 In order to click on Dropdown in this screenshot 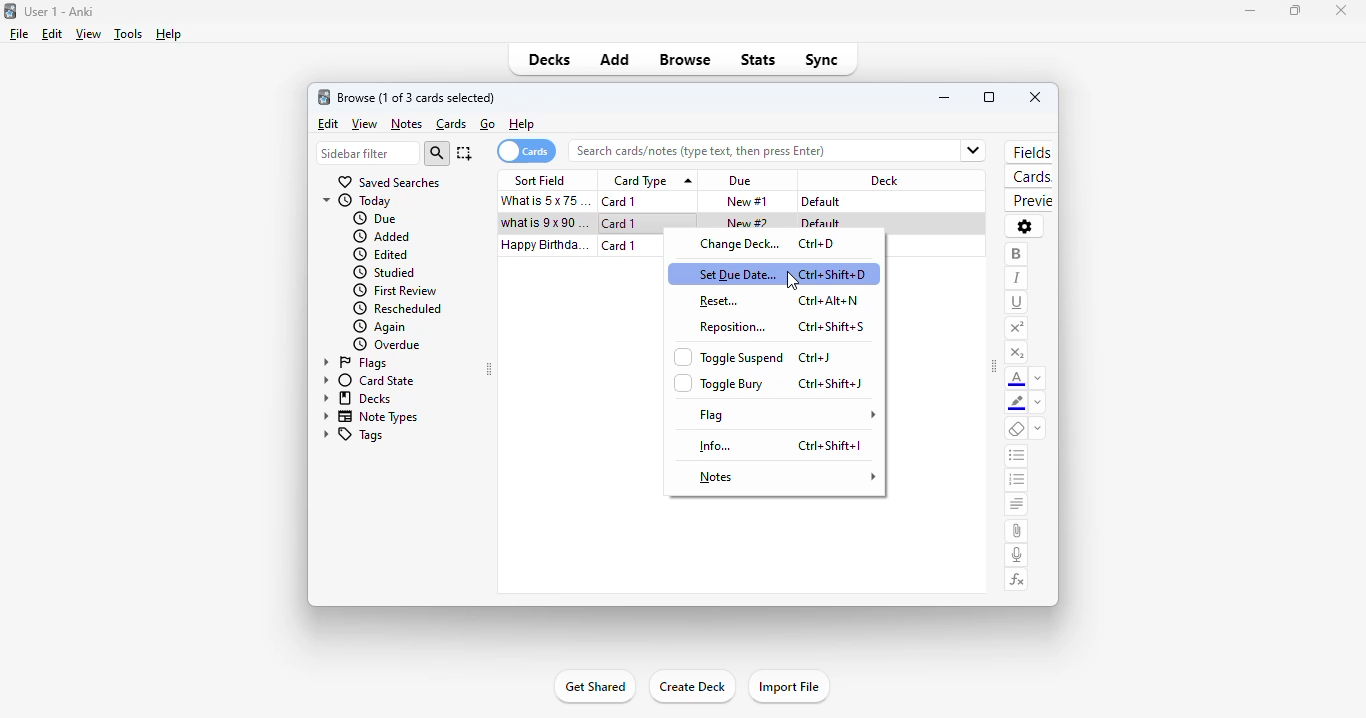, I will do `click(972, 148)`.